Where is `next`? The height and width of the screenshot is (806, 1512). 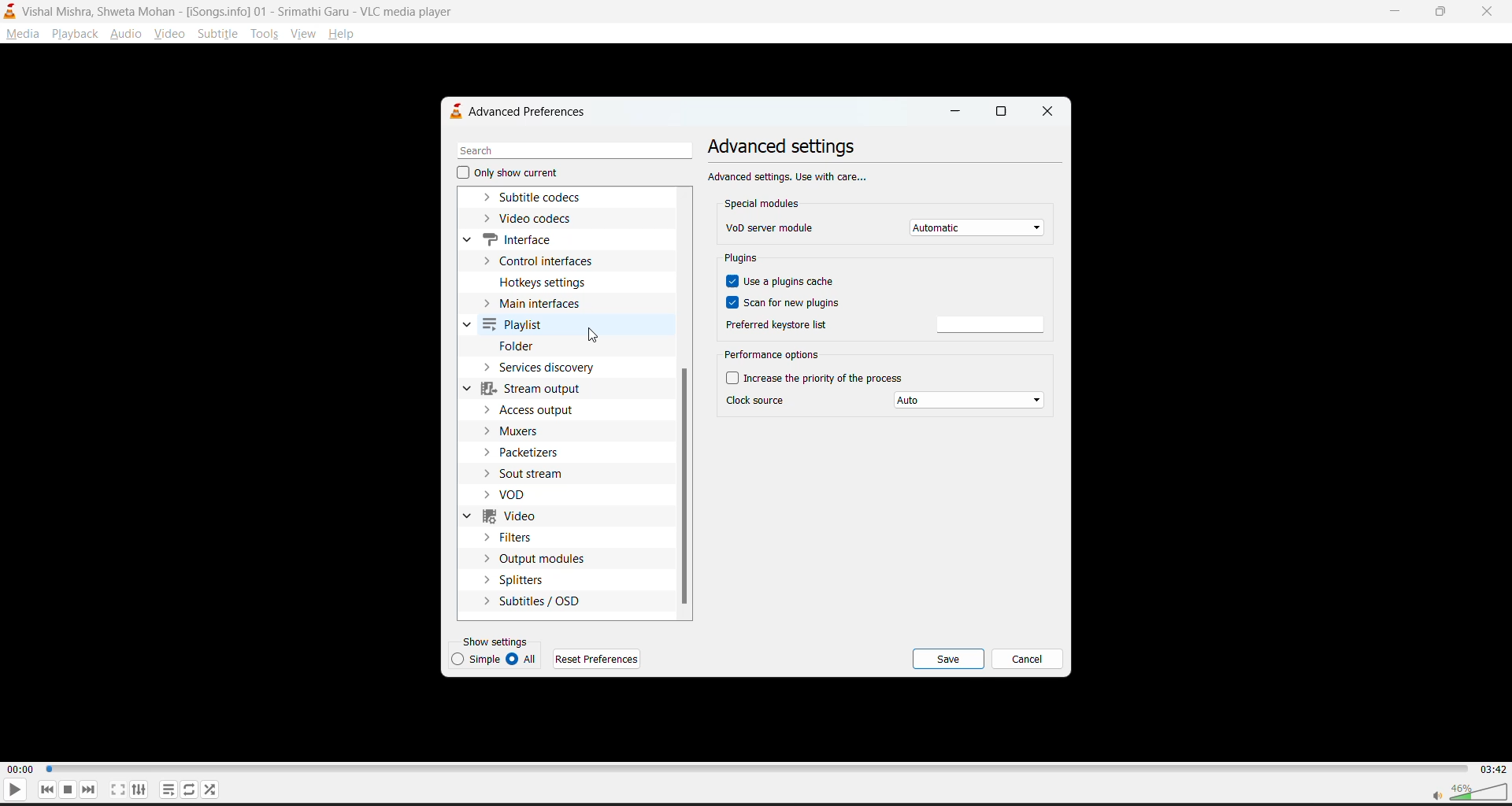 next is located at coordinates (86, 790).